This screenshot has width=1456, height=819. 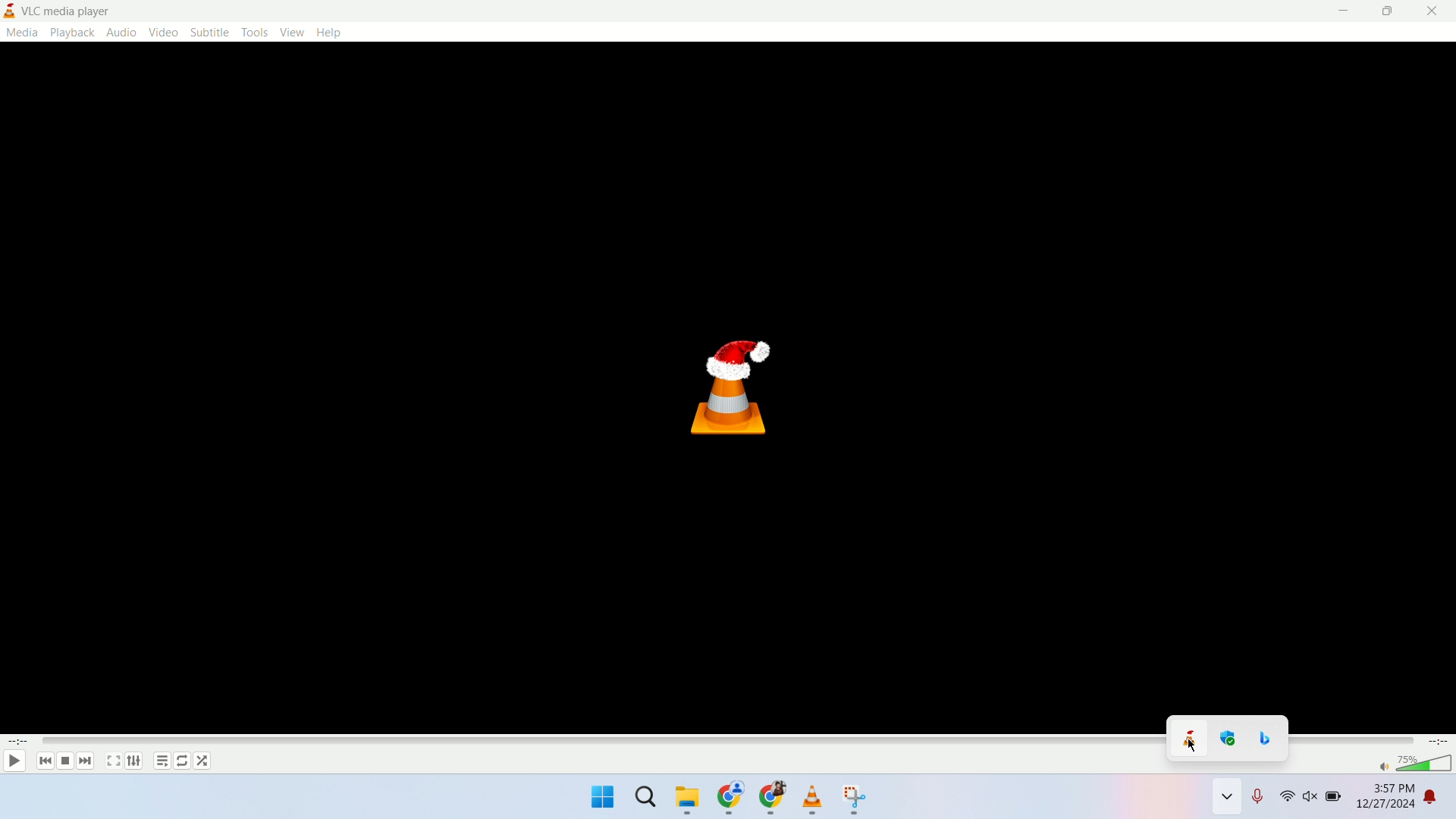 I want to click on file exlporer, so click(x=689, y=801).